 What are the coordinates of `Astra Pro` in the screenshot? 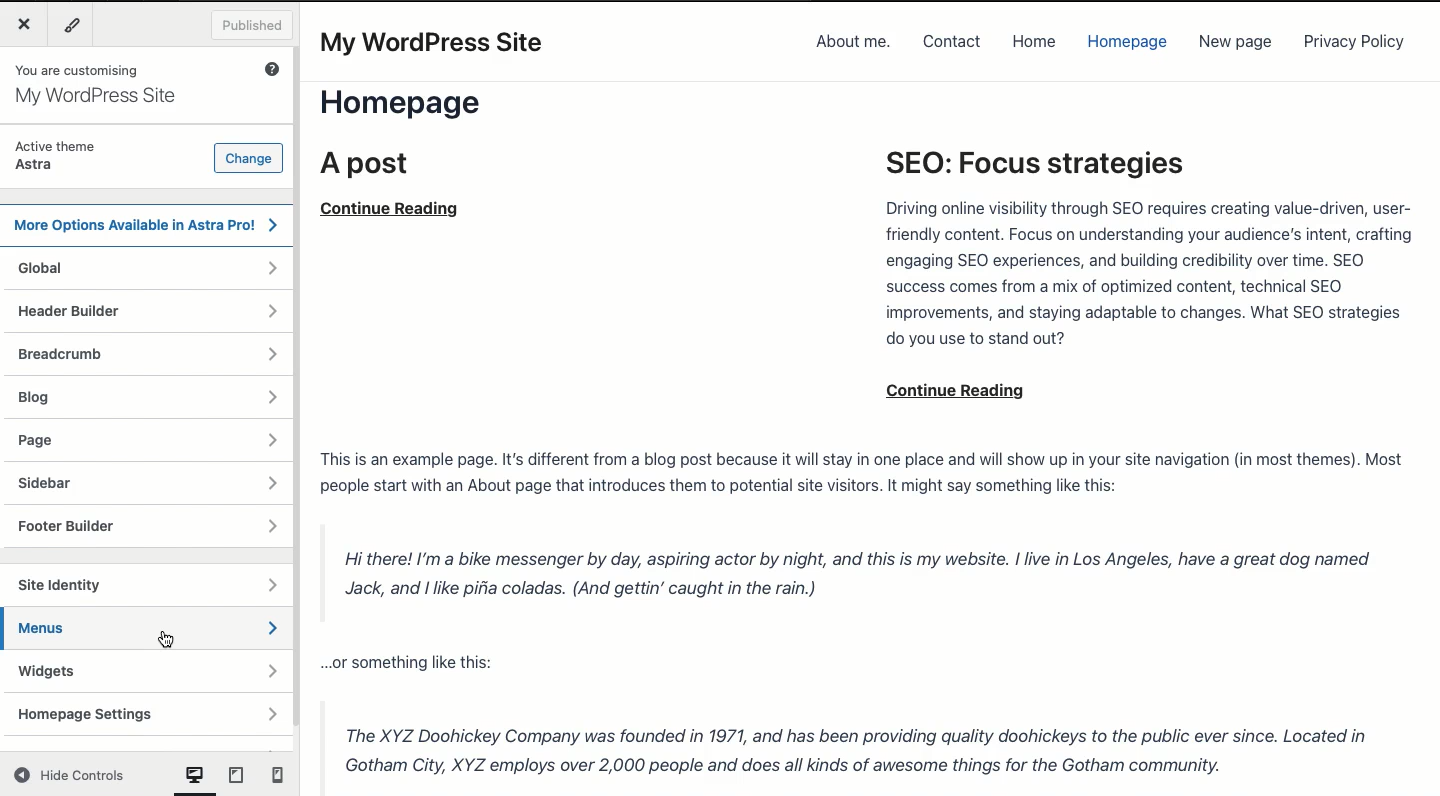 It's located at (145, 226).